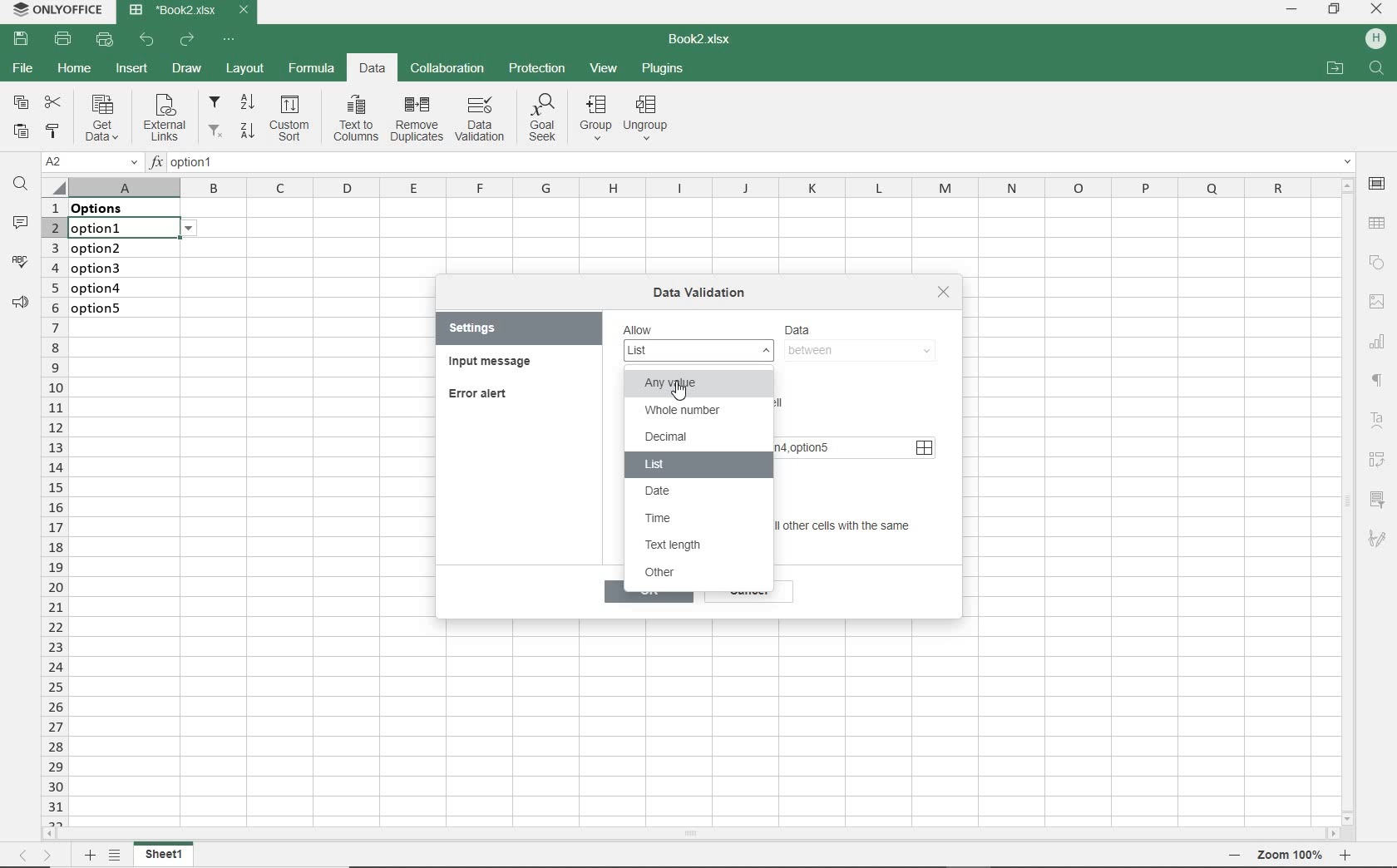 Image resolution: width=1397 pixels, height=868 pixels. Describe the element at coordinates (487, 328) in the screenshot. I see `SETTINGS` at that location.